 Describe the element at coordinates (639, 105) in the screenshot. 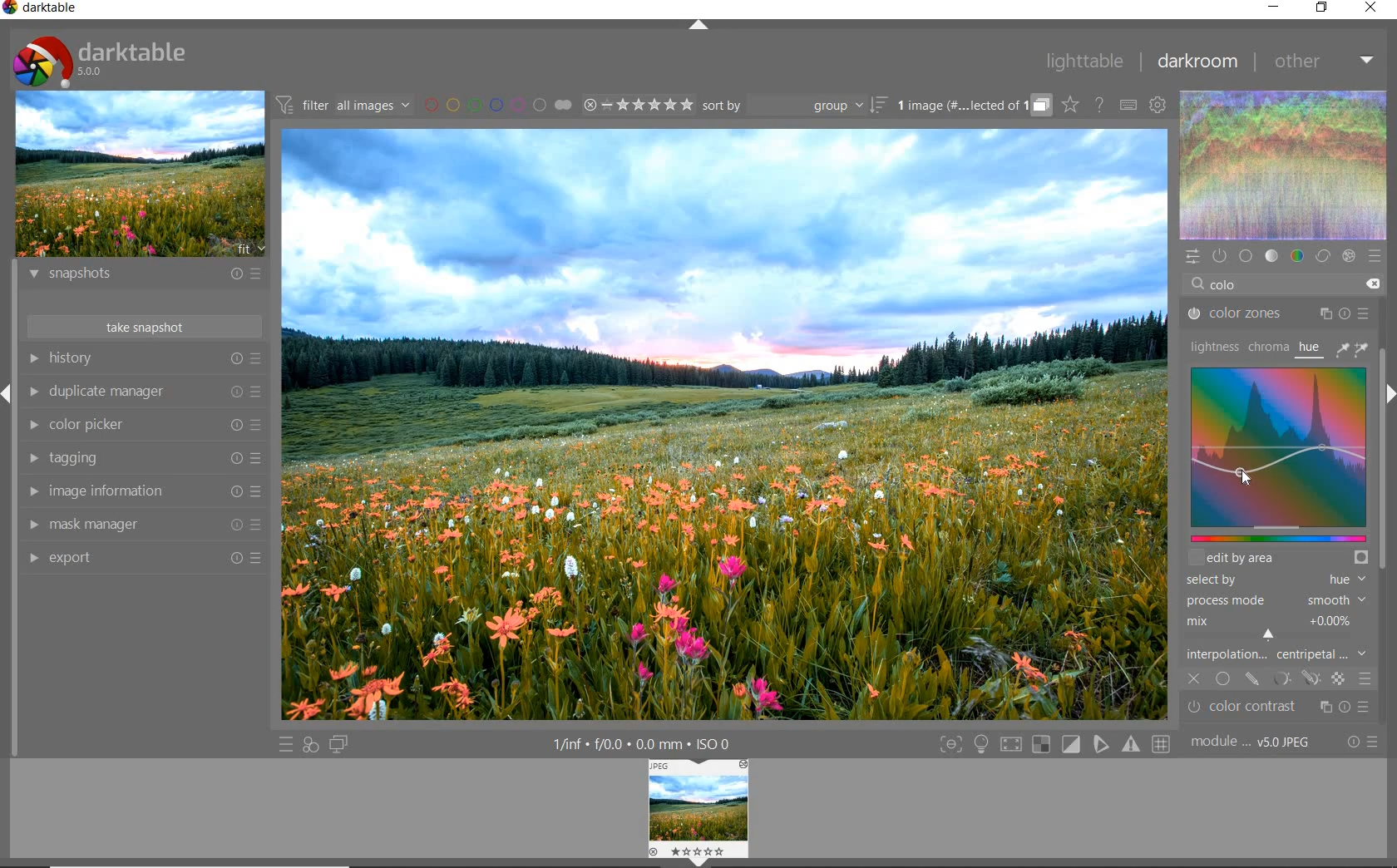

I see `range ratings for selected images` at that location.